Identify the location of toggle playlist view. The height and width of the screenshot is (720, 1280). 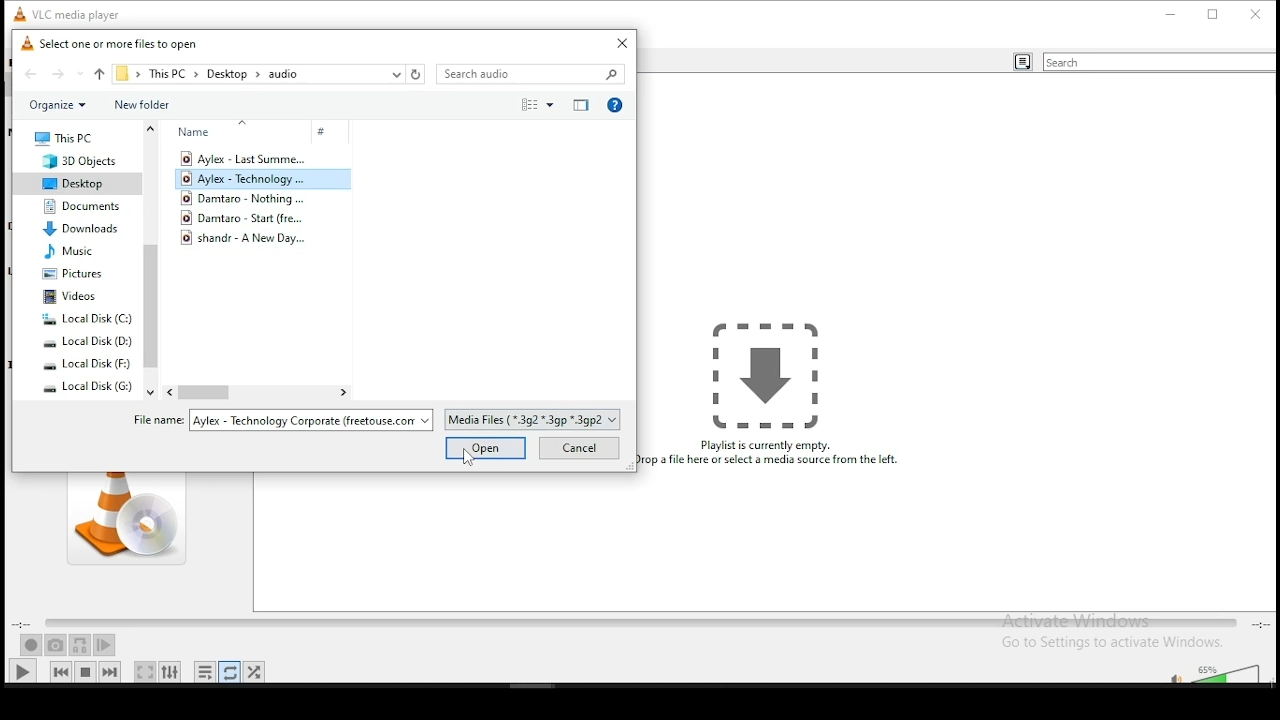
(1022, 63).